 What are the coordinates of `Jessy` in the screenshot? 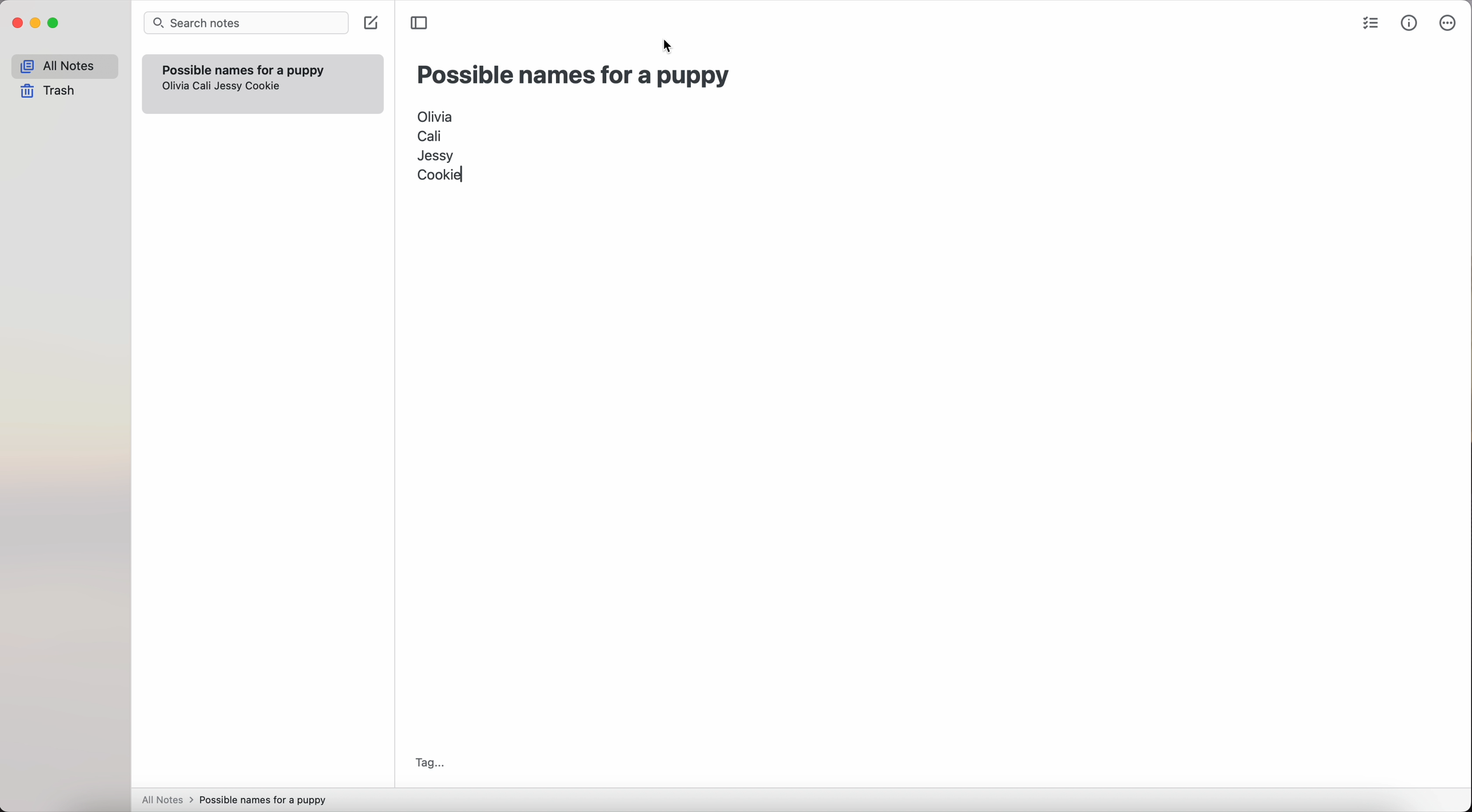 It's located at (435, 154).